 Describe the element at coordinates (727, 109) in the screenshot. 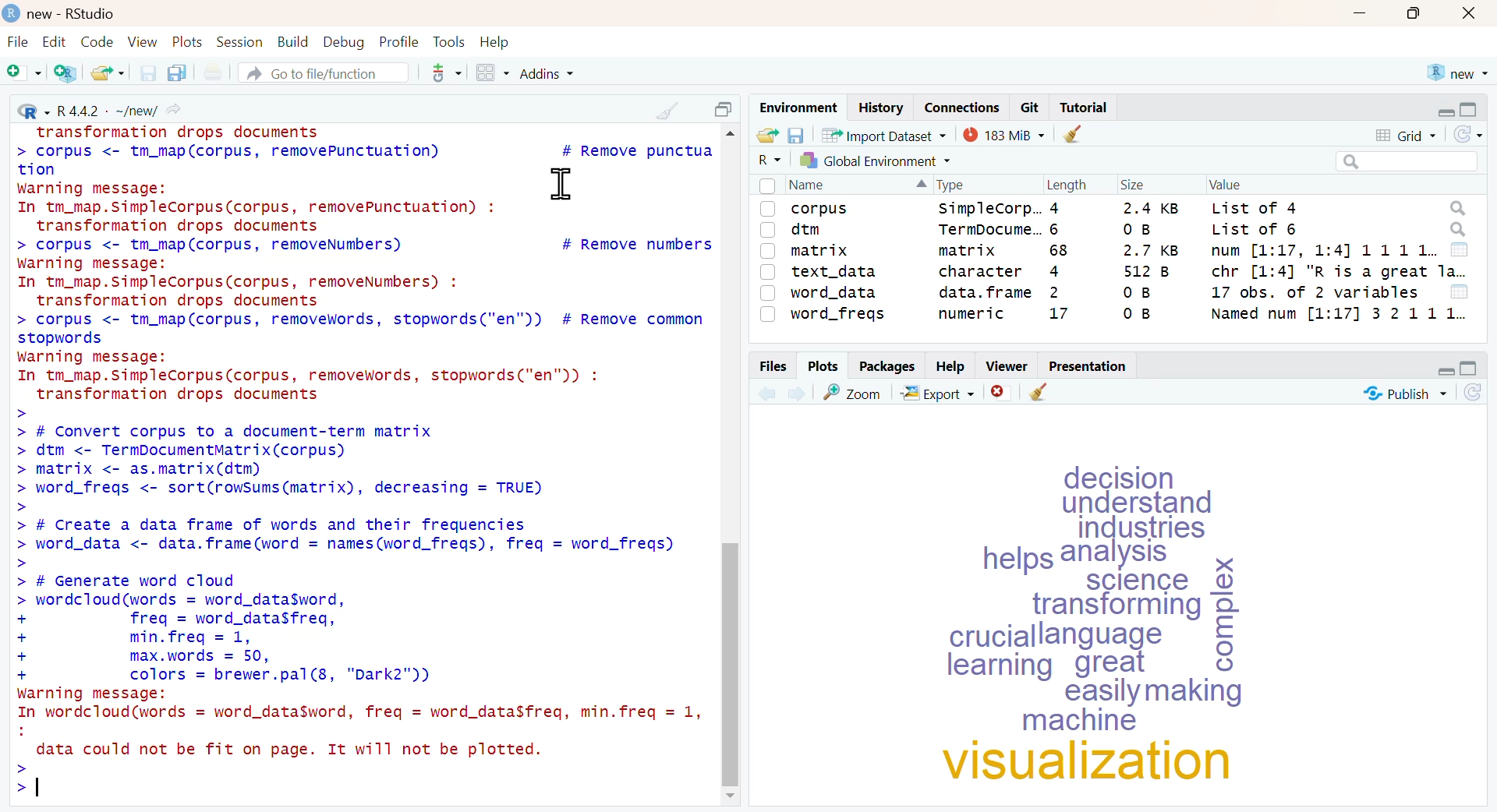

I see `maximize` at that location.